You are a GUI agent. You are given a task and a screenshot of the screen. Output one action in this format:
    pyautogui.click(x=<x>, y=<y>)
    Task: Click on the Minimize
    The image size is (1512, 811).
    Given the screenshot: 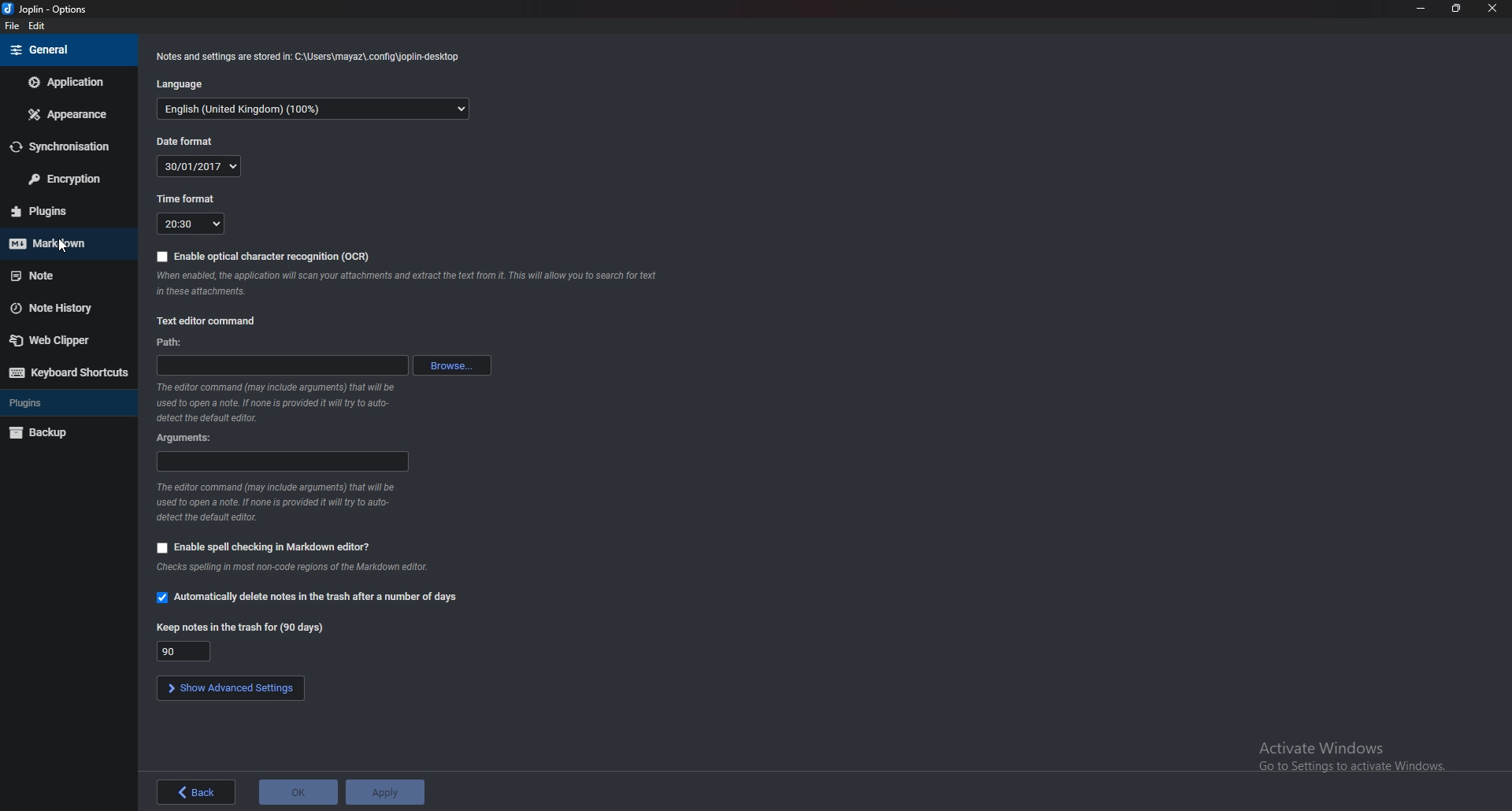 What is the action you would take?
    pyautogui.click(x=1421, y=7)
    